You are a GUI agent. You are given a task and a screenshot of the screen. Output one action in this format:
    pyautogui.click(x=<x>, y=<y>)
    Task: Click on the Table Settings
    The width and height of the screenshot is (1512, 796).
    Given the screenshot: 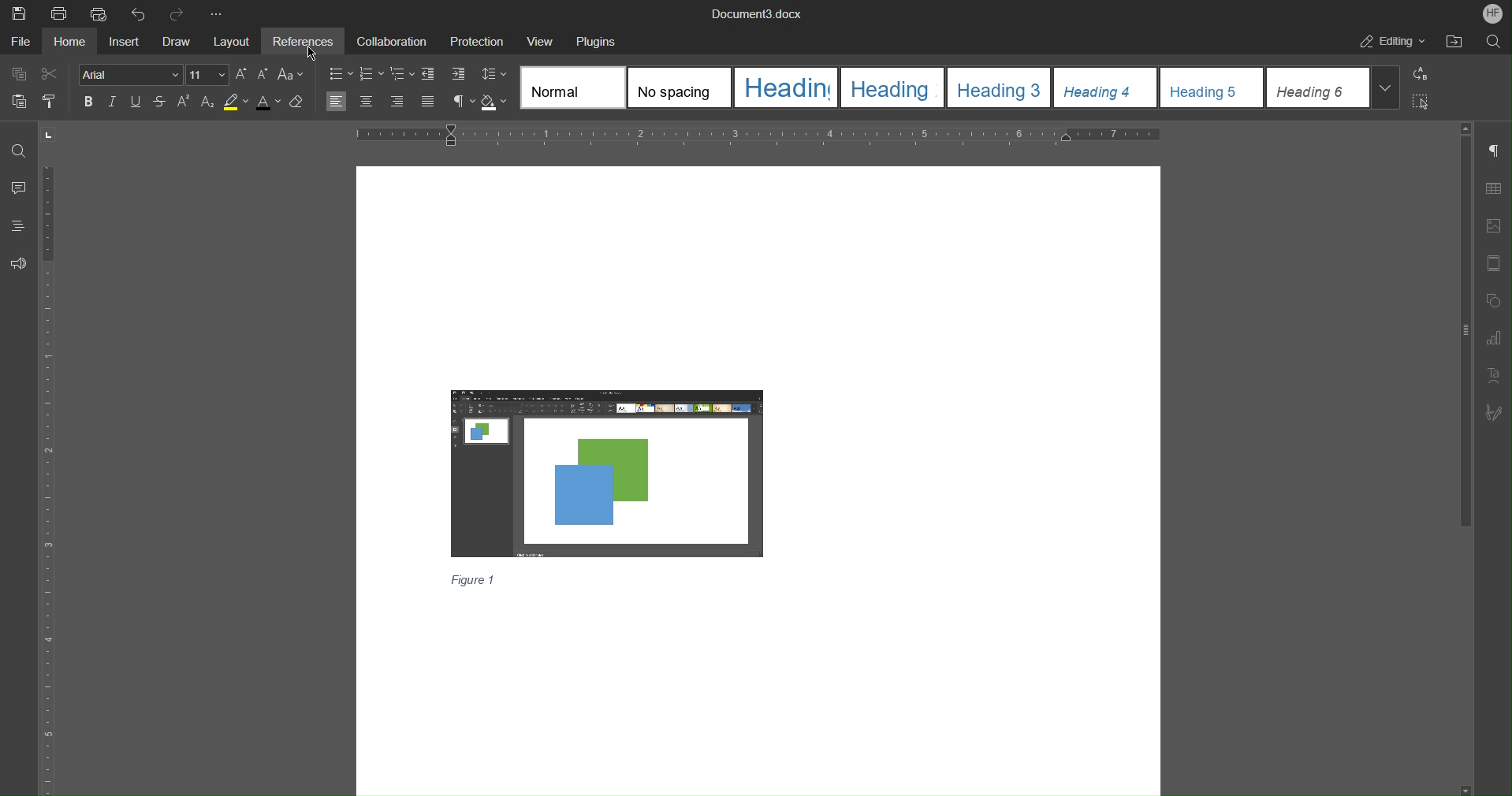 What is the action you would take?
    pyautogui.click(x=1494, y=189)
    